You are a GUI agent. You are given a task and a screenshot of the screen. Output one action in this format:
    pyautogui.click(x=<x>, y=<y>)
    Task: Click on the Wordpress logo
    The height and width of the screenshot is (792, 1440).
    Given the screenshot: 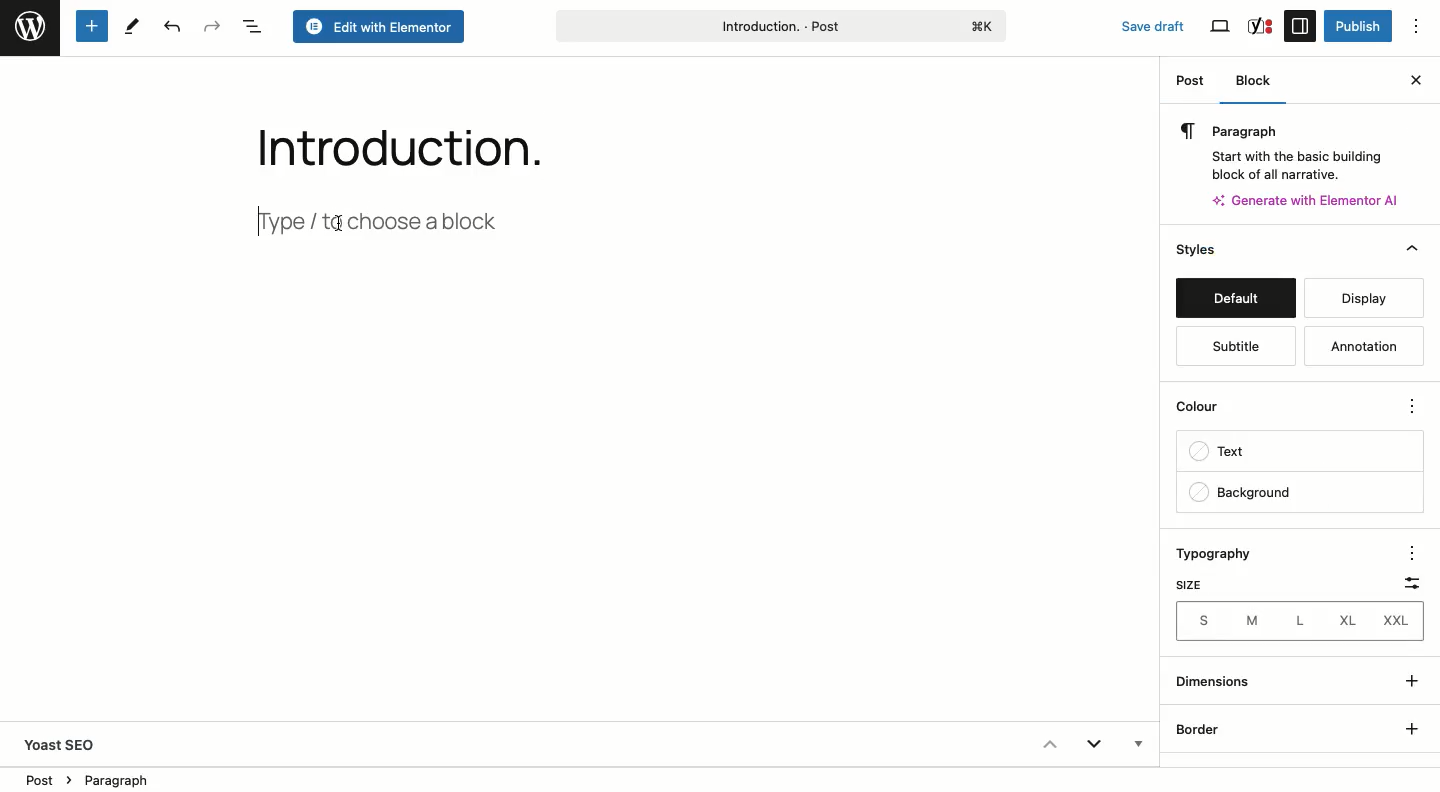 What is the action you would take?
    pyautogui.click(x=30, y=27)
    